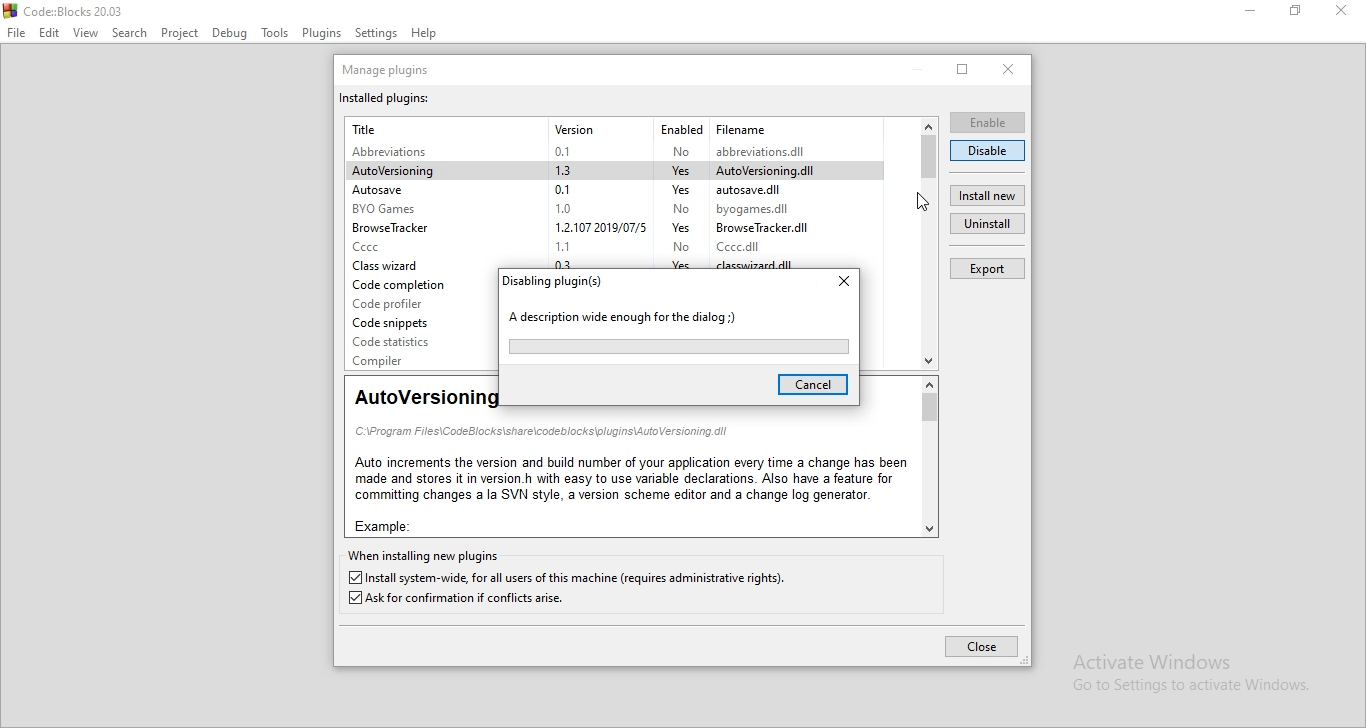 The height and width of the screenshot is (728, 1366). Describe the element at coordinates (402, 322) in the screenshot. I see `Code snippets` at that location.